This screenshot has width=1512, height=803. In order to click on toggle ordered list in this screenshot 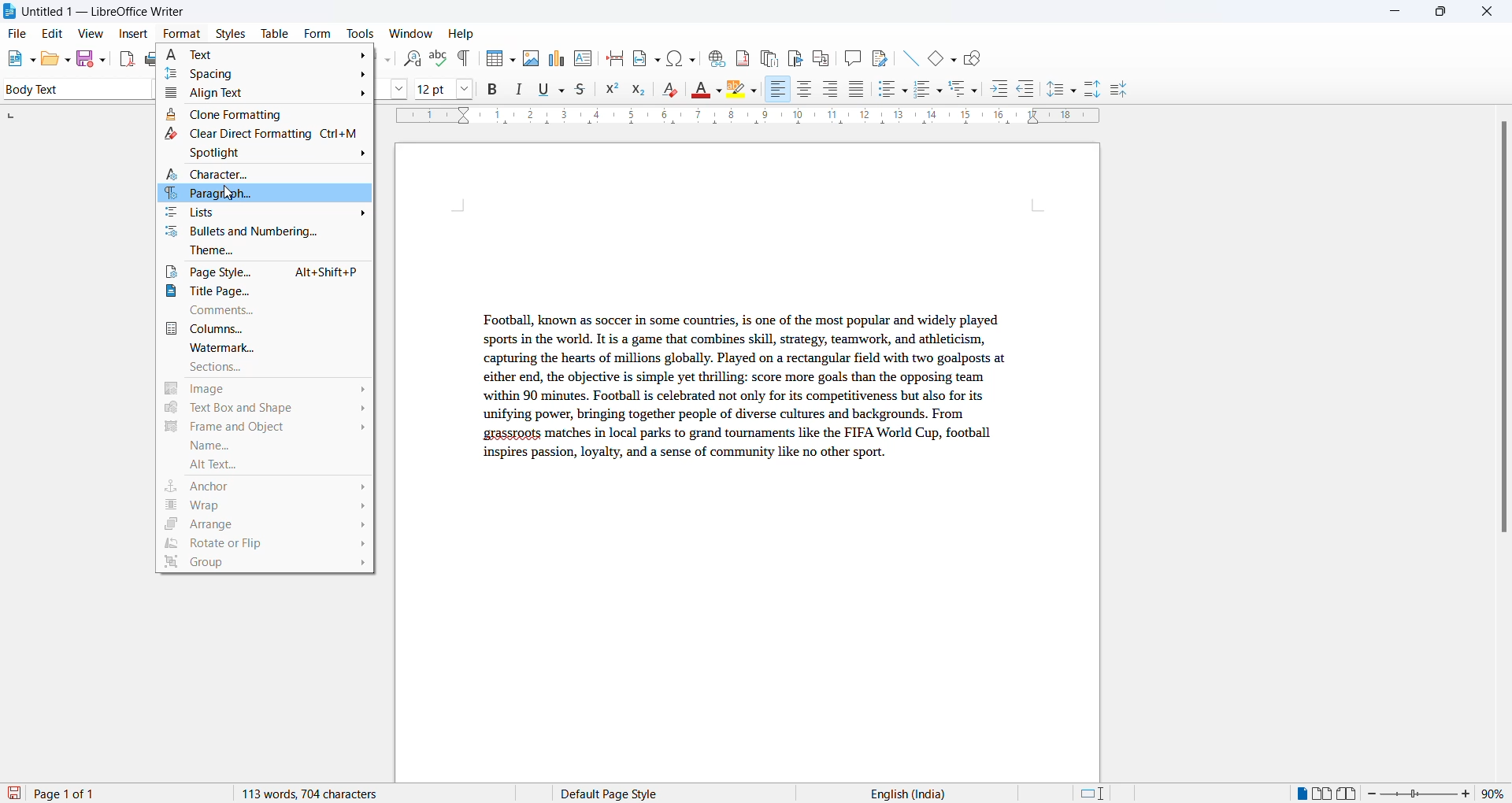, I will do `click(929, 90)`.